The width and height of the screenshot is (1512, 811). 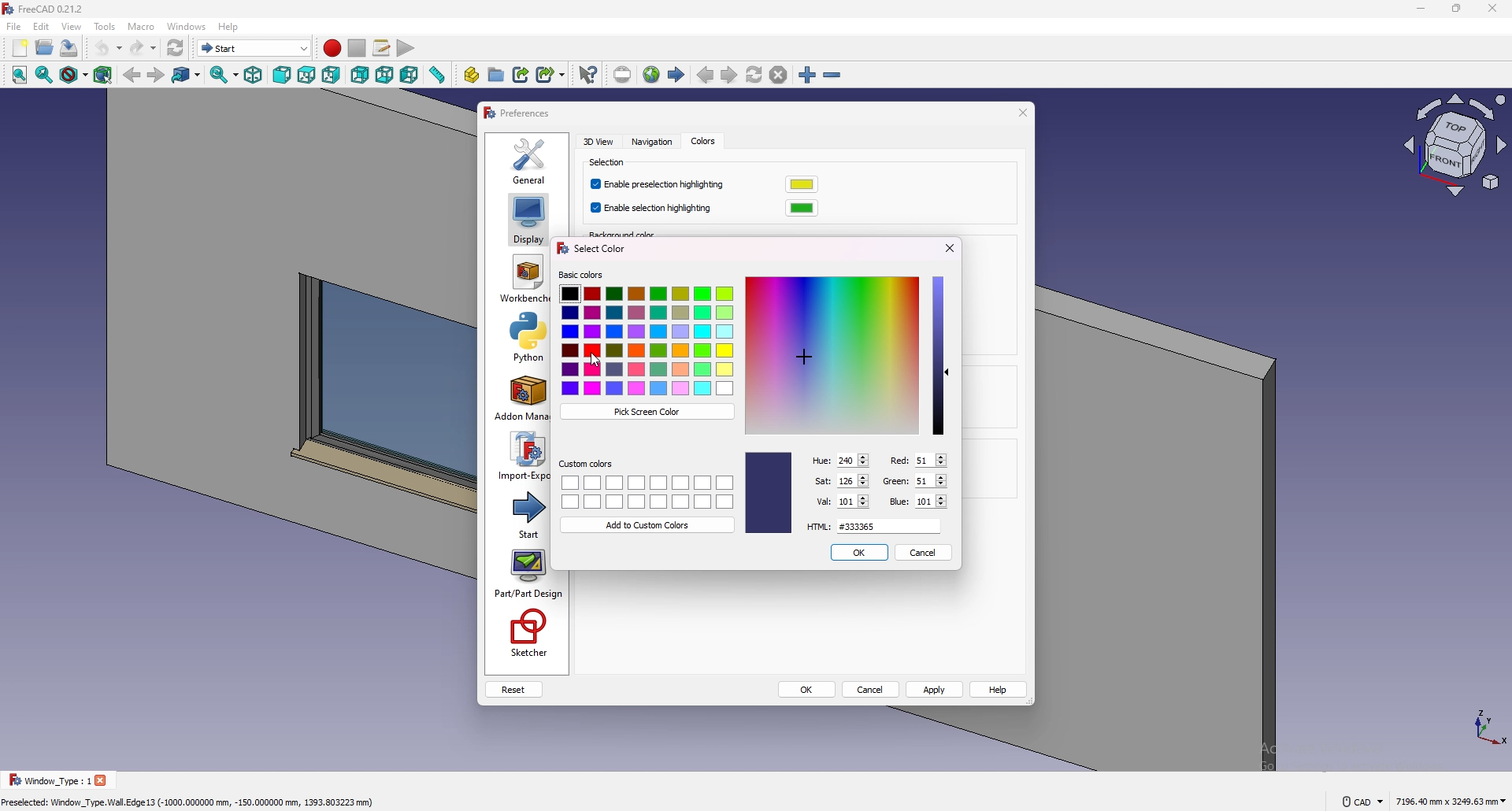 What do you see at coordinates (706, 76) in the screenshot?
I see `previous page` at bounding box center [706, 76].